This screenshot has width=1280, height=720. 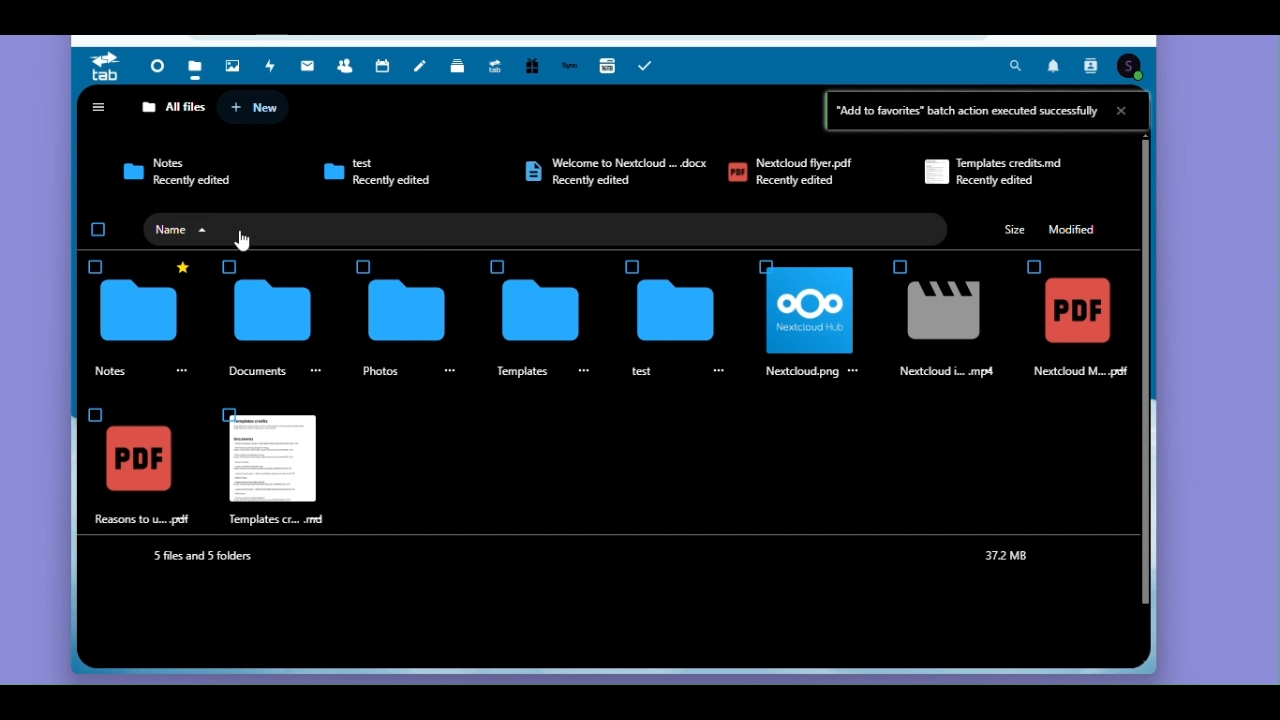 What do you see at coordinates (987, 111) in the screenshot?
I see `Confirmation prompt add to favourite action successful` at bounding box center [987, 111].